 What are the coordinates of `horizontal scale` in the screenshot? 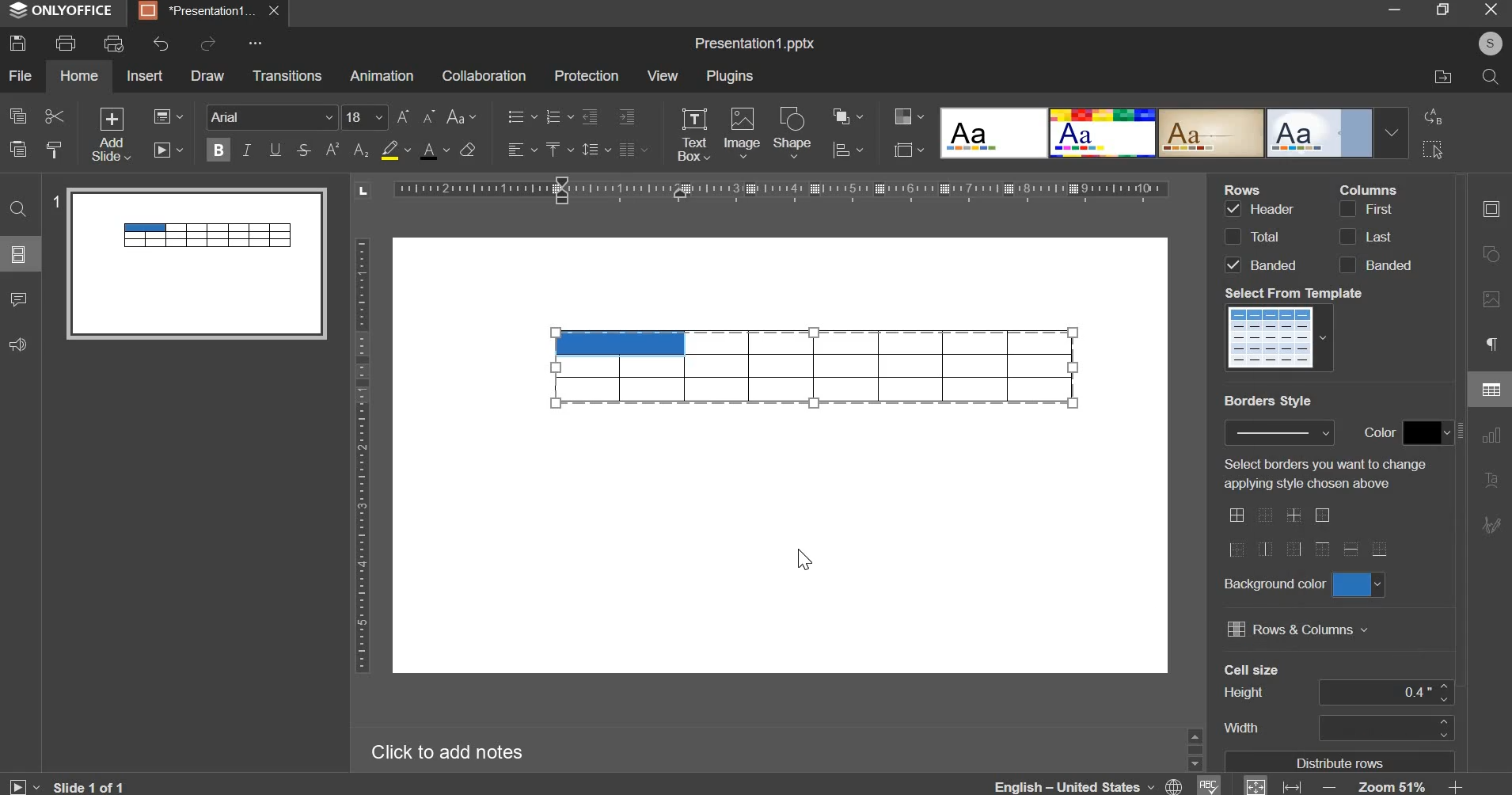 It's located at (780, 188).